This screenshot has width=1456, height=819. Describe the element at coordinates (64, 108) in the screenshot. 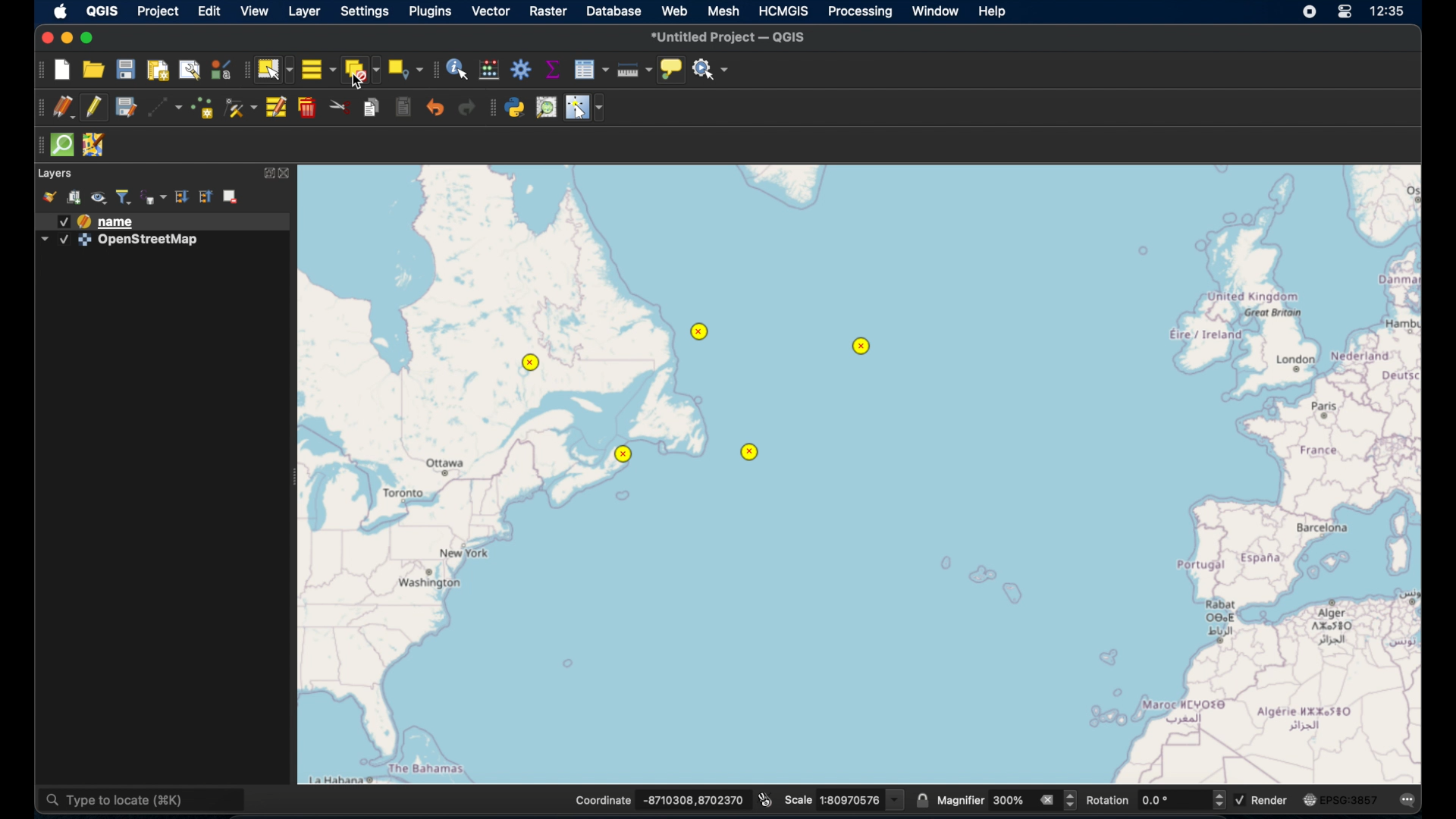

I see `current edits` at that location.